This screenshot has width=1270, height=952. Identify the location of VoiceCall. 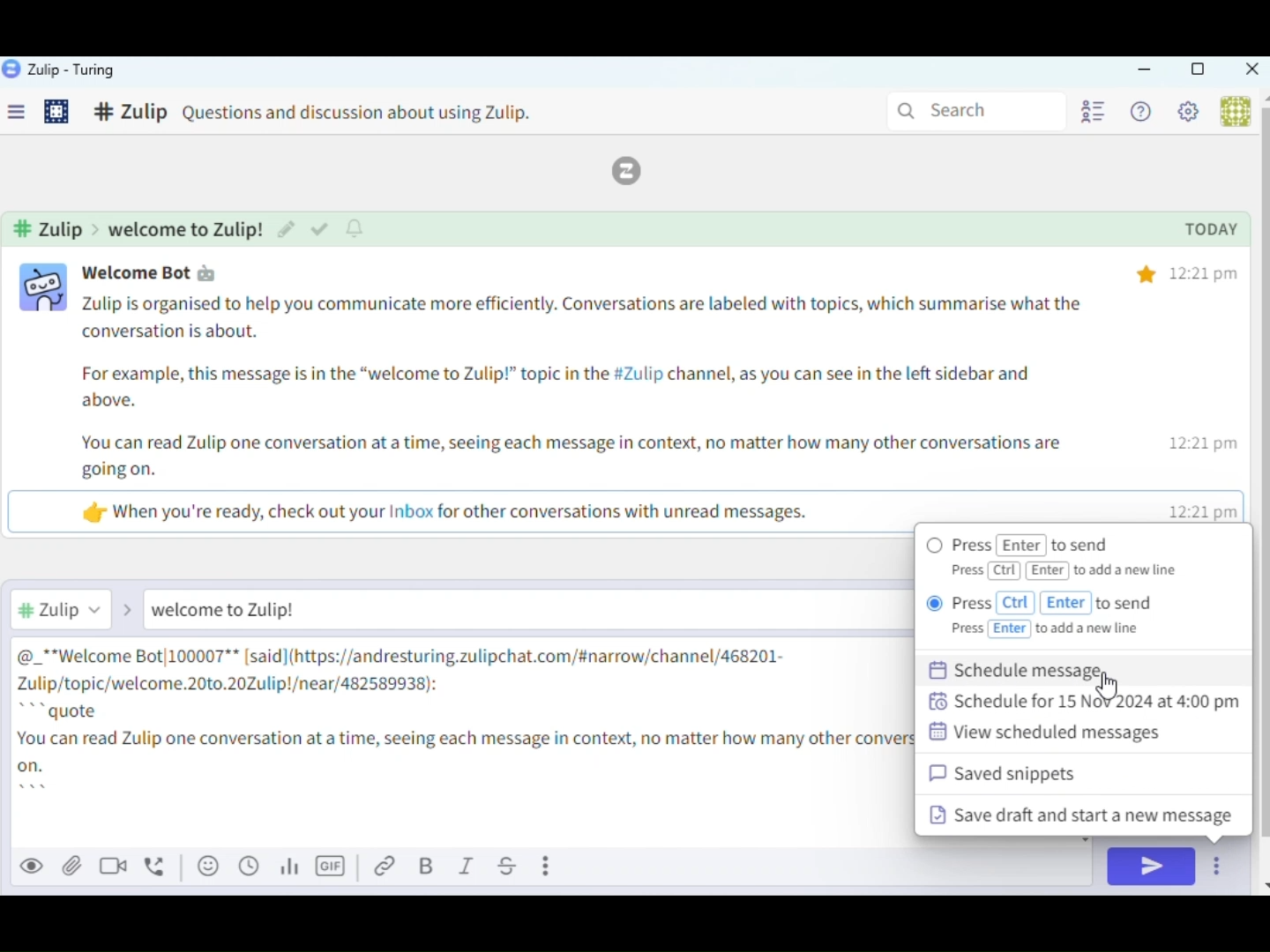
(159, 865).